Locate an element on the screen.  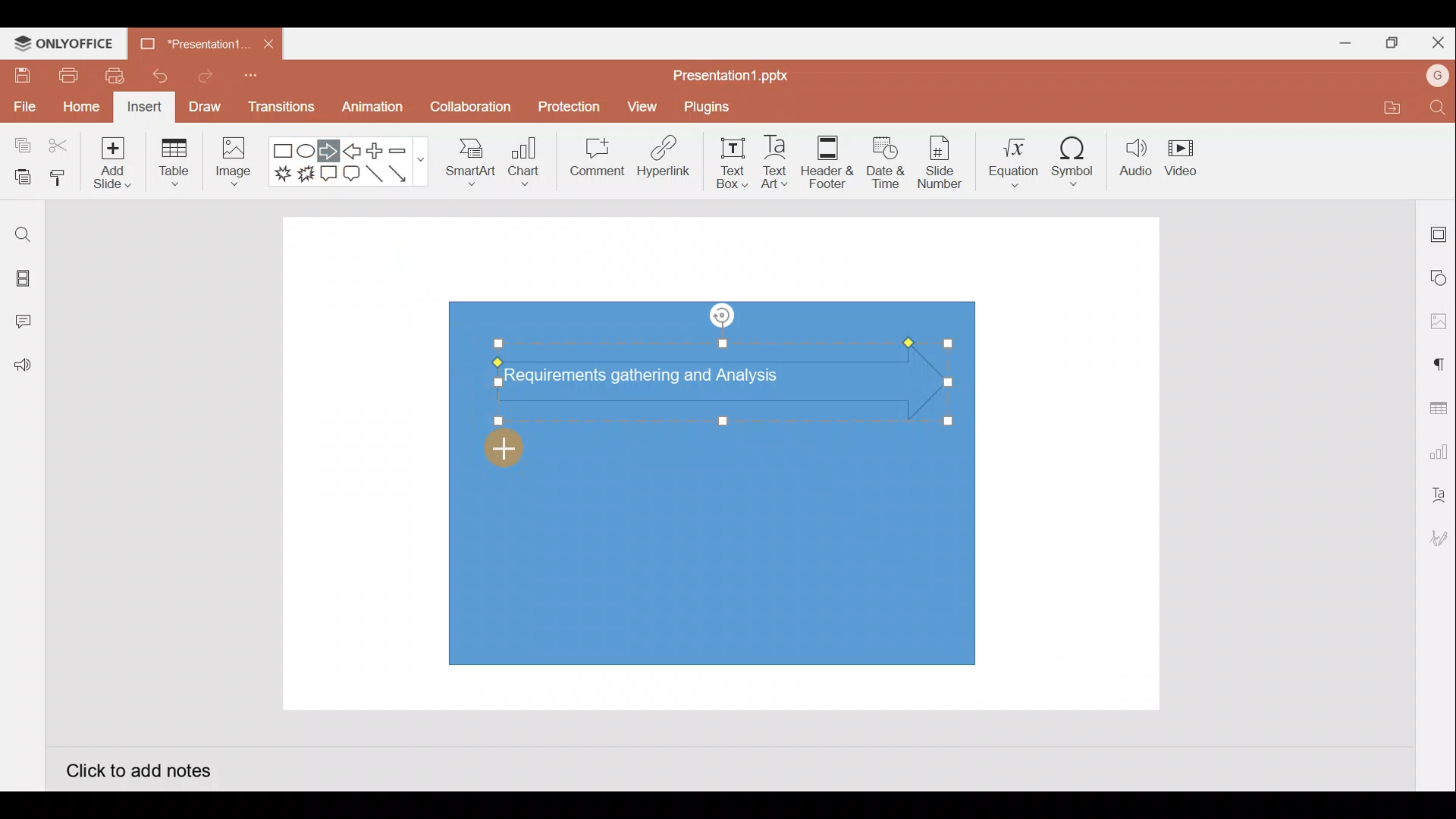
Shape settings is located at coordinates (1439, 277).